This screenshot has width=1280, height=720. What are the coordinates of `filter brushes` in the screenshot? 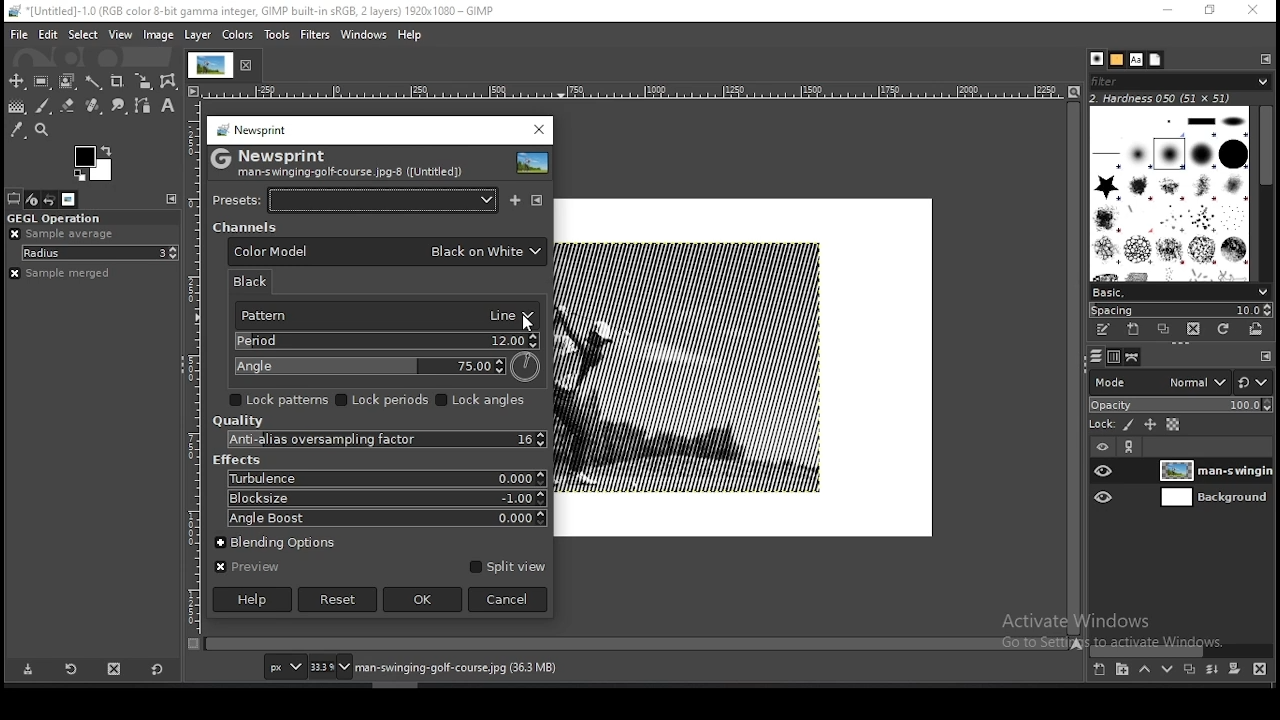 It's located at (1179, 80).